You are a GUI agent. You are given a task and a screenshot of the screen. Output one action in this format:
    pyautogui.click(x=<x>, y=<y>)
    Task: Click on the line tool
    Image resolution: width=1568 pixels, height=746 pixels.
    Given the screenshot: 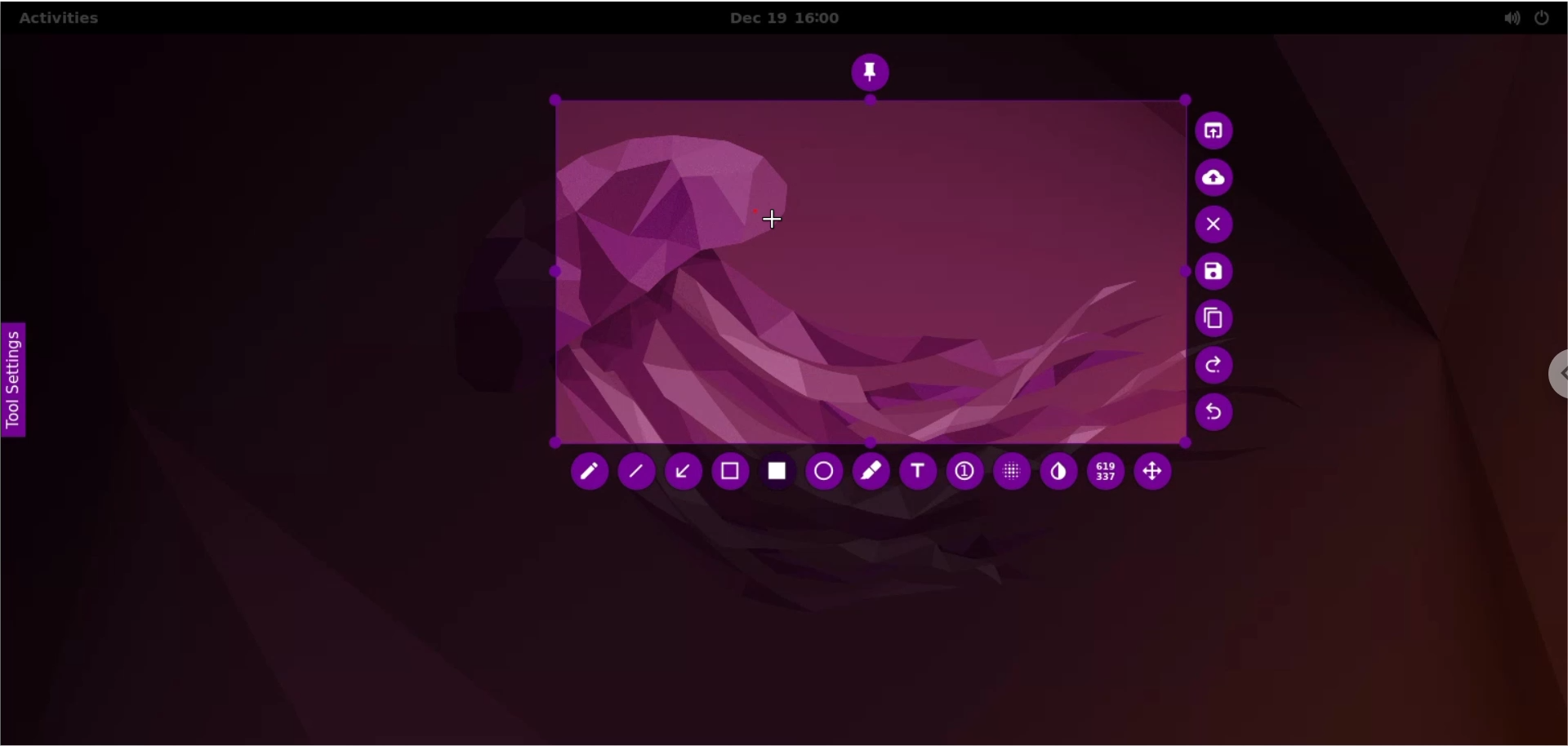 What is the action you would take?
    pyautogui.click(x=640, y=473)
    